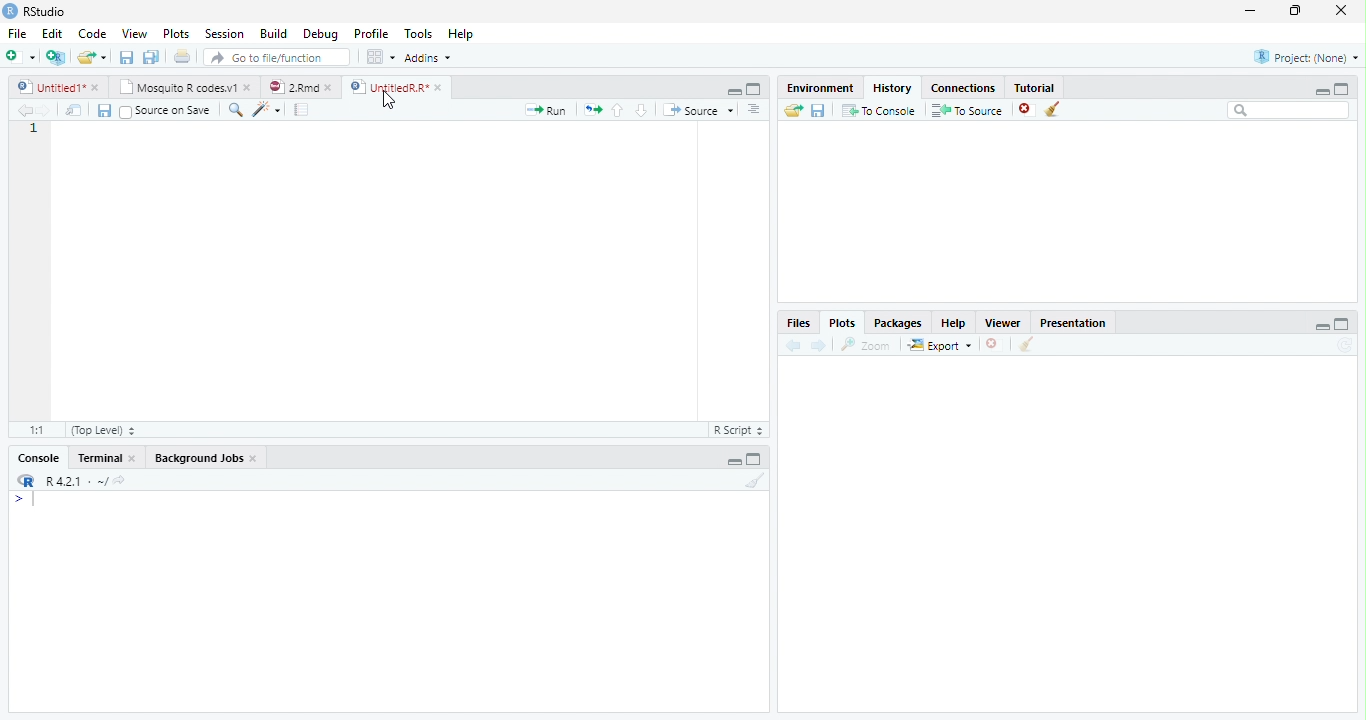 The width and height of the screenshot is (1366, 720). Describe the element at coordinates (102, 109) in the screenshot. I see `Save` at that location.